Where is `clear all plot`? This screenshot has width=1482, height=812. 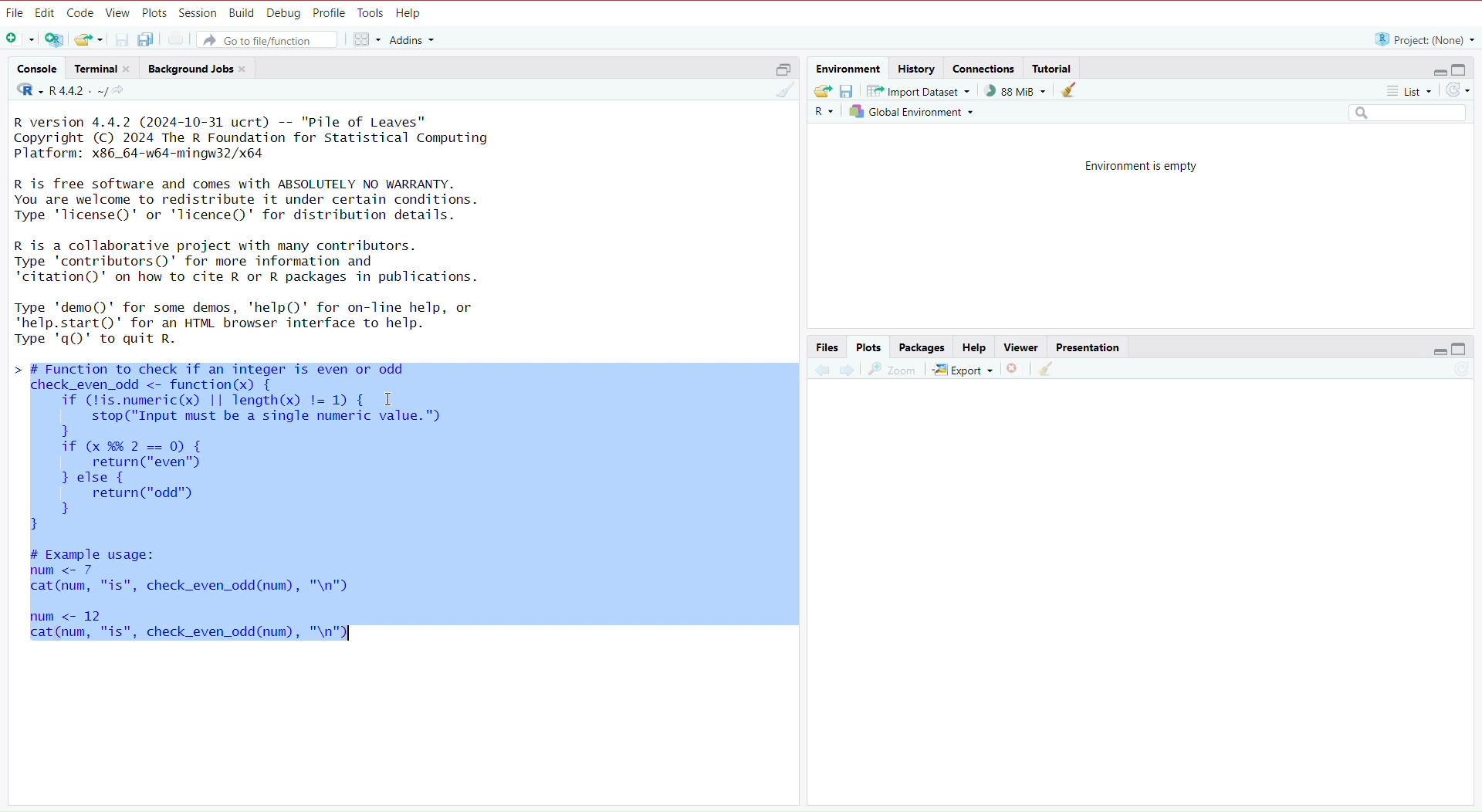 clear all plot is located at coordinates (1048, 370).